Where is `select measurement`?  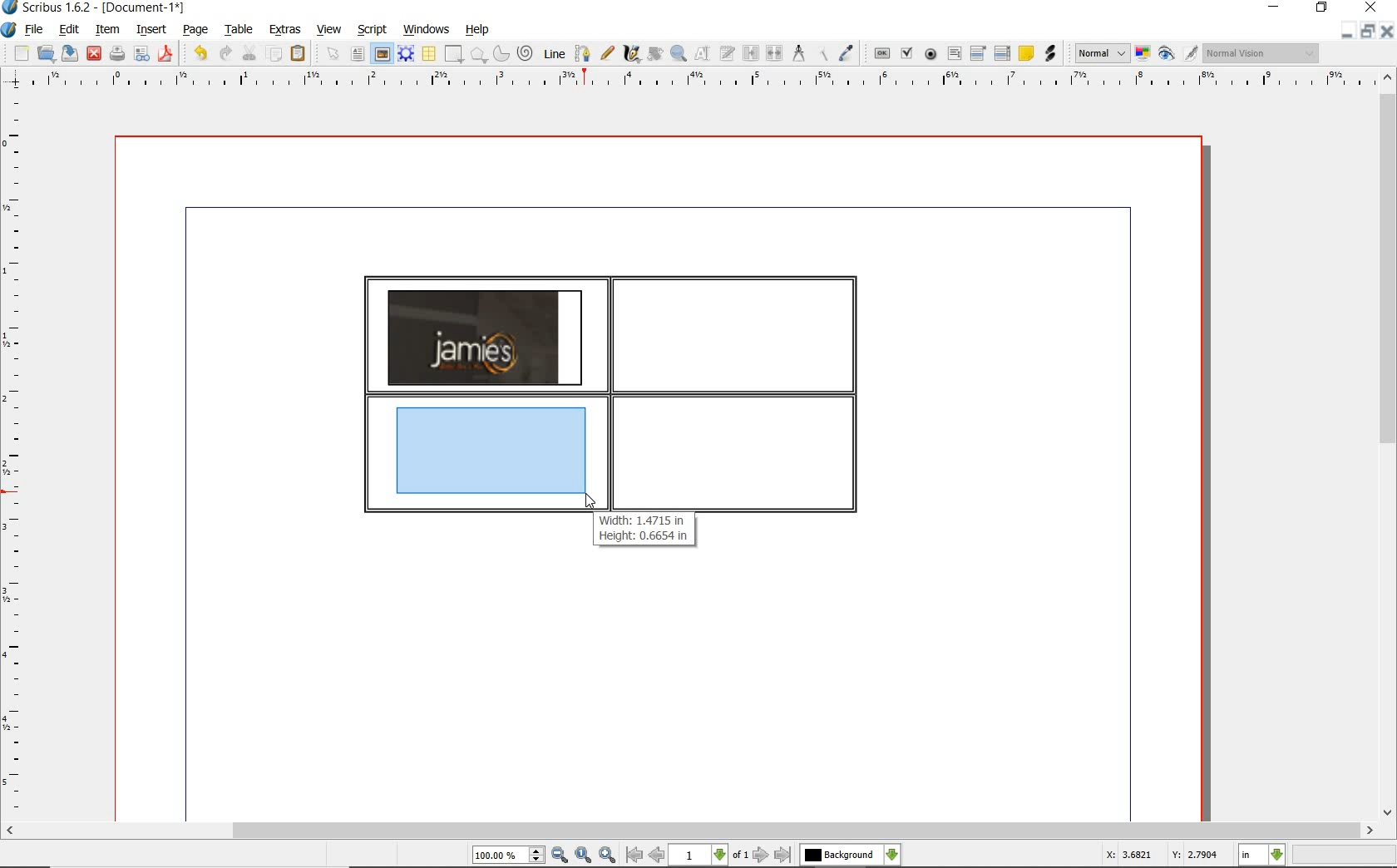 select measurement is located at coordinates (1262, 855).